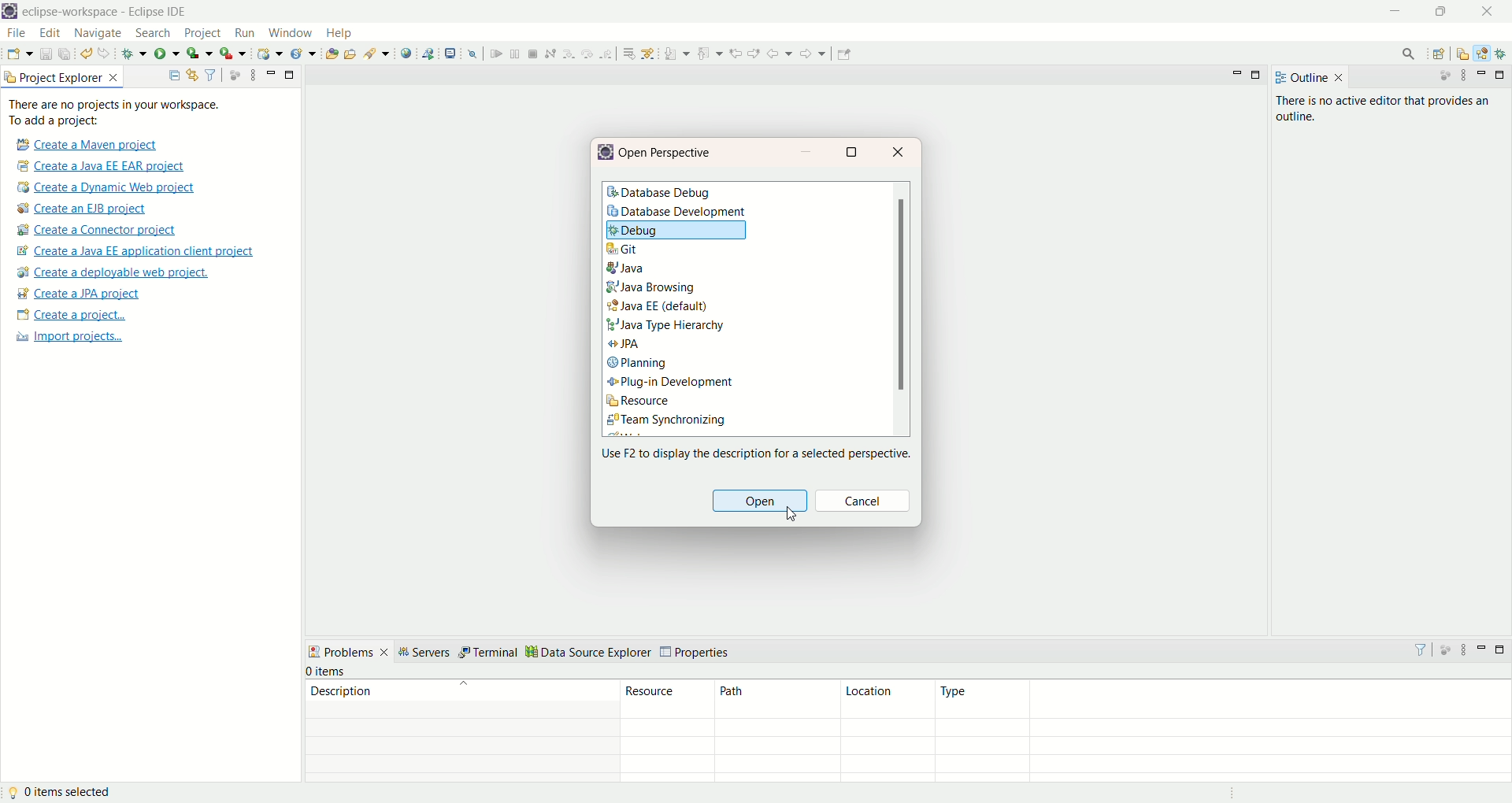 This screenshot has height=803, width=1512. What do you see at coordinates (682, 214) in the screenshot?
I see `database development` at bounding box center [682, 214].